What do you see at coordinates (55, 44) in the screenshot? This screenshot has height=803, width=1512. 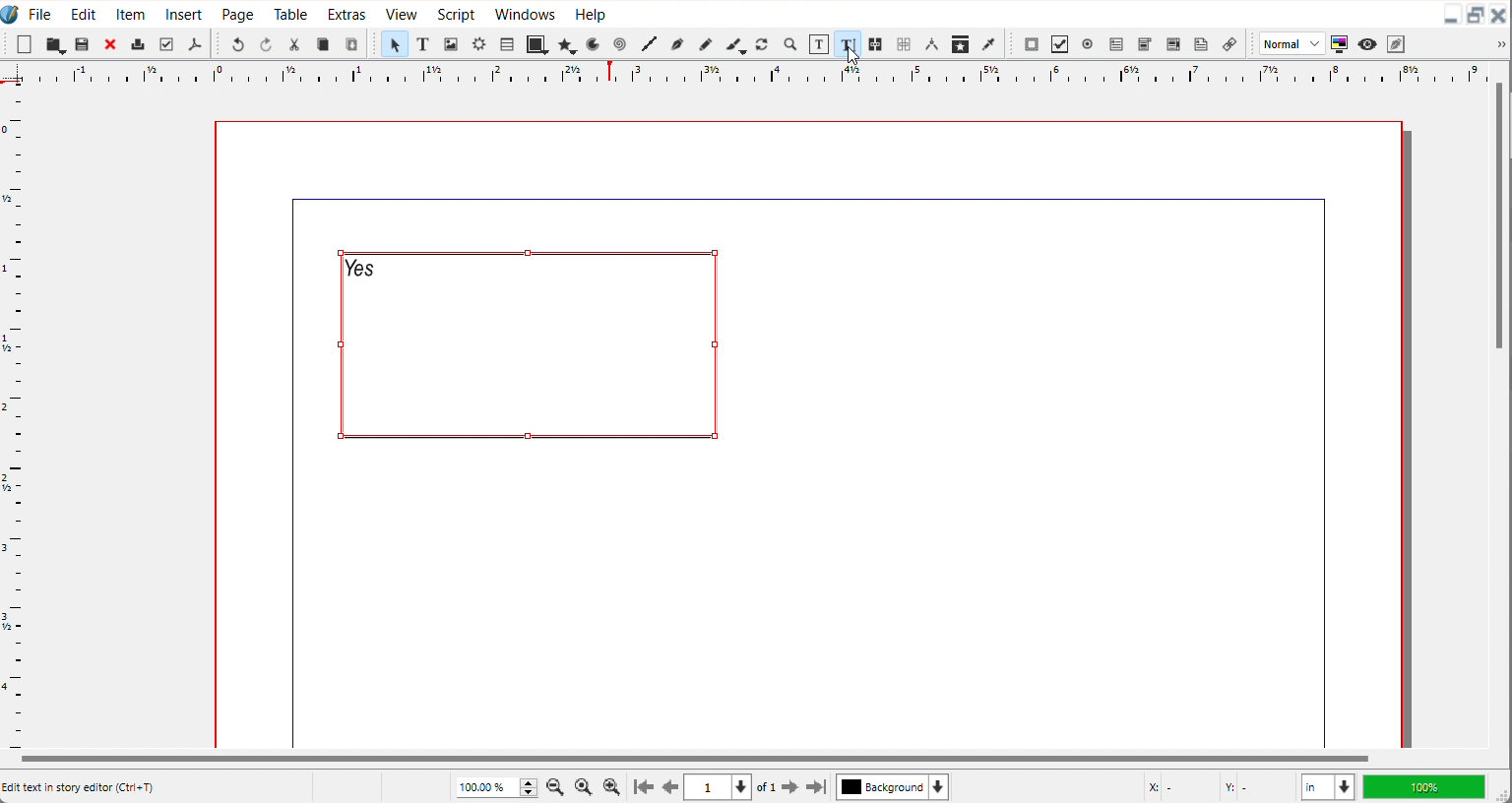 I see `Save` at bounding box center [55, 44].